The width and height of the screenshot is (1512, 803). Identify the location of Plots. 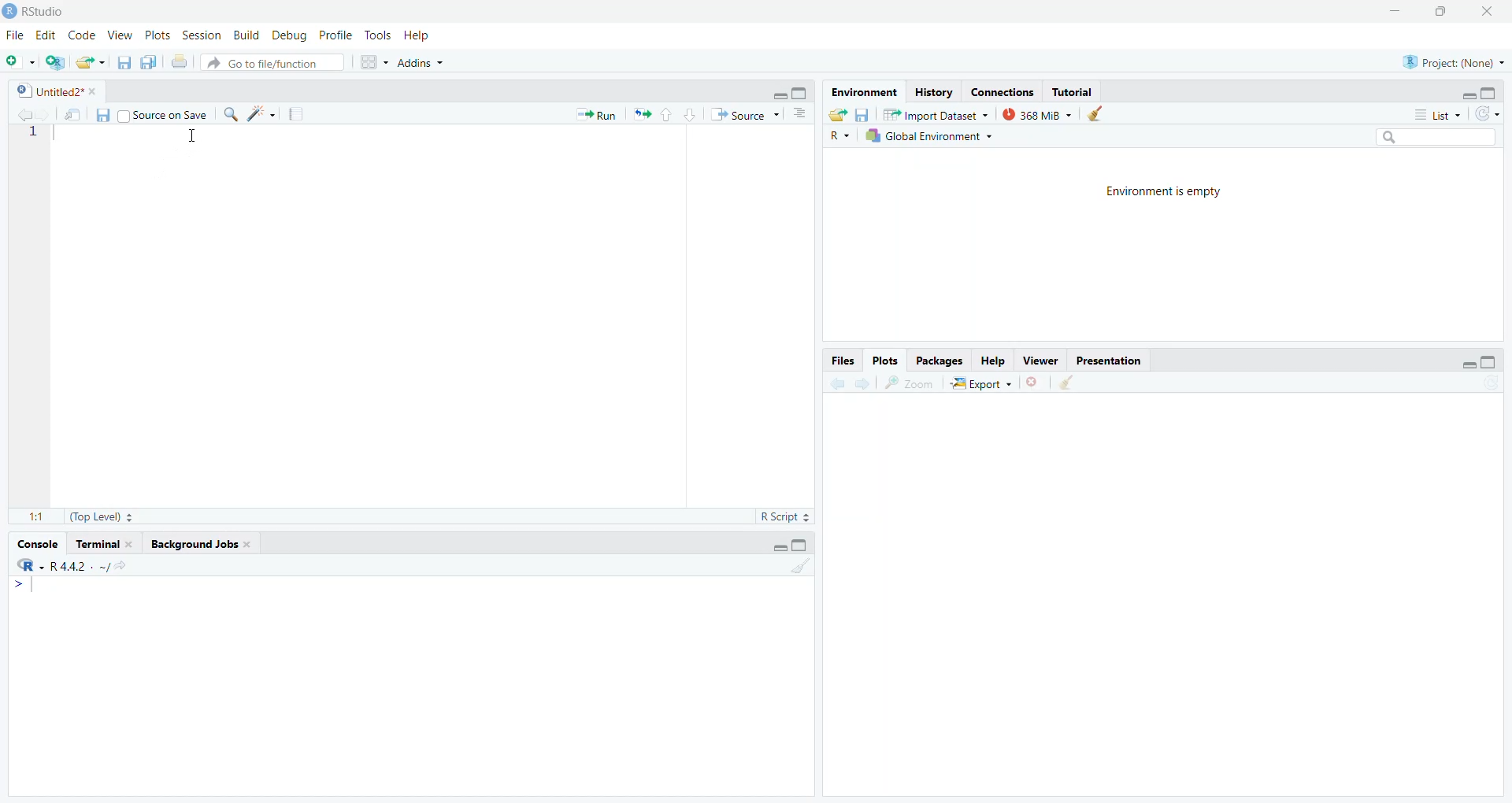
(885, 361).